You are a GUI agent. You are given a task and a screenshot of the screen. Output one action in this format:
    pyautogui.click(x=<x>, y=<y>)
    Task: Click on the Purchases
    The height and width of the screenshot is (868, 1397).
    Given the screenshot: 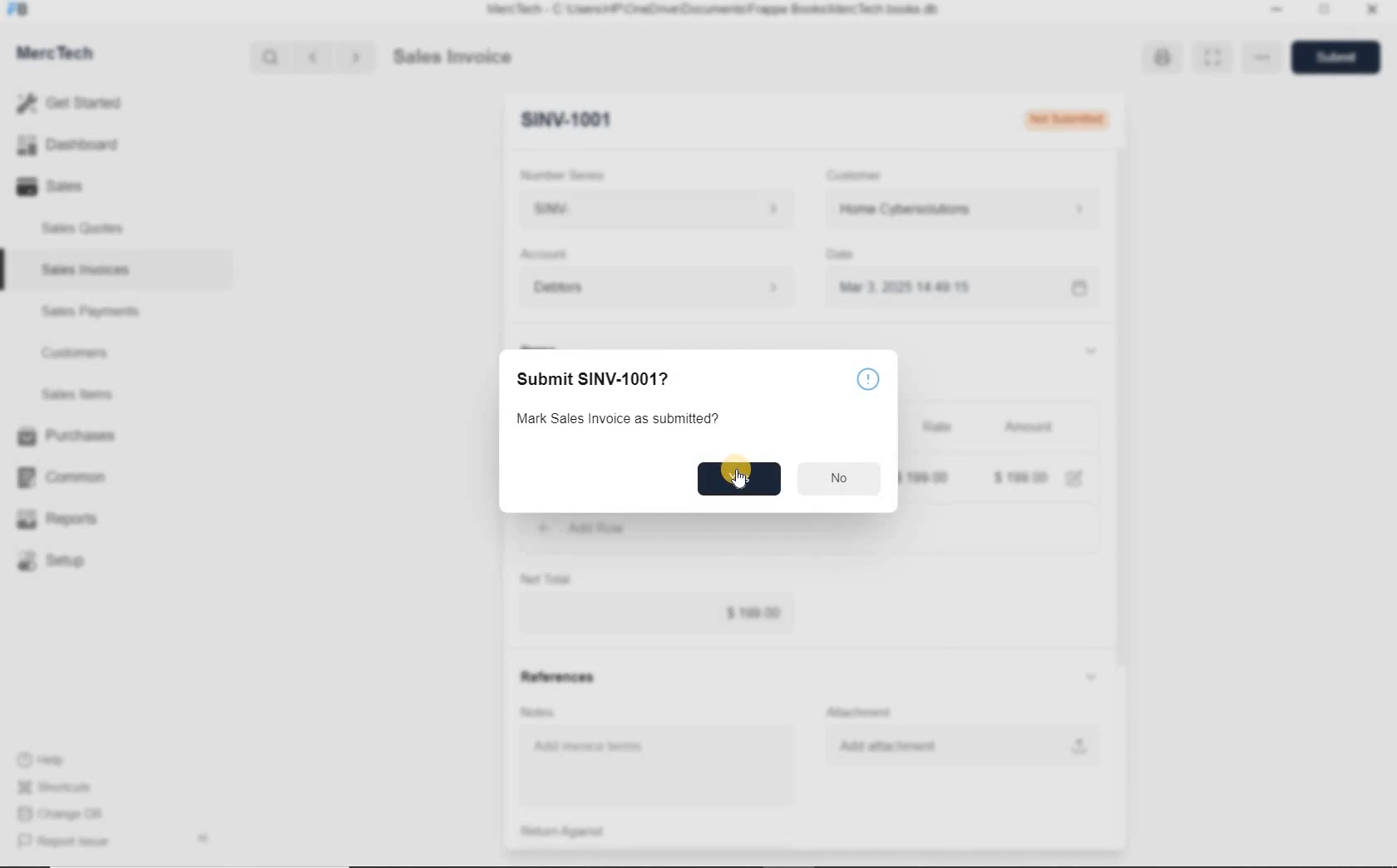 What is the action you would take?
    pyautogui.click(x=69, y=437)
    